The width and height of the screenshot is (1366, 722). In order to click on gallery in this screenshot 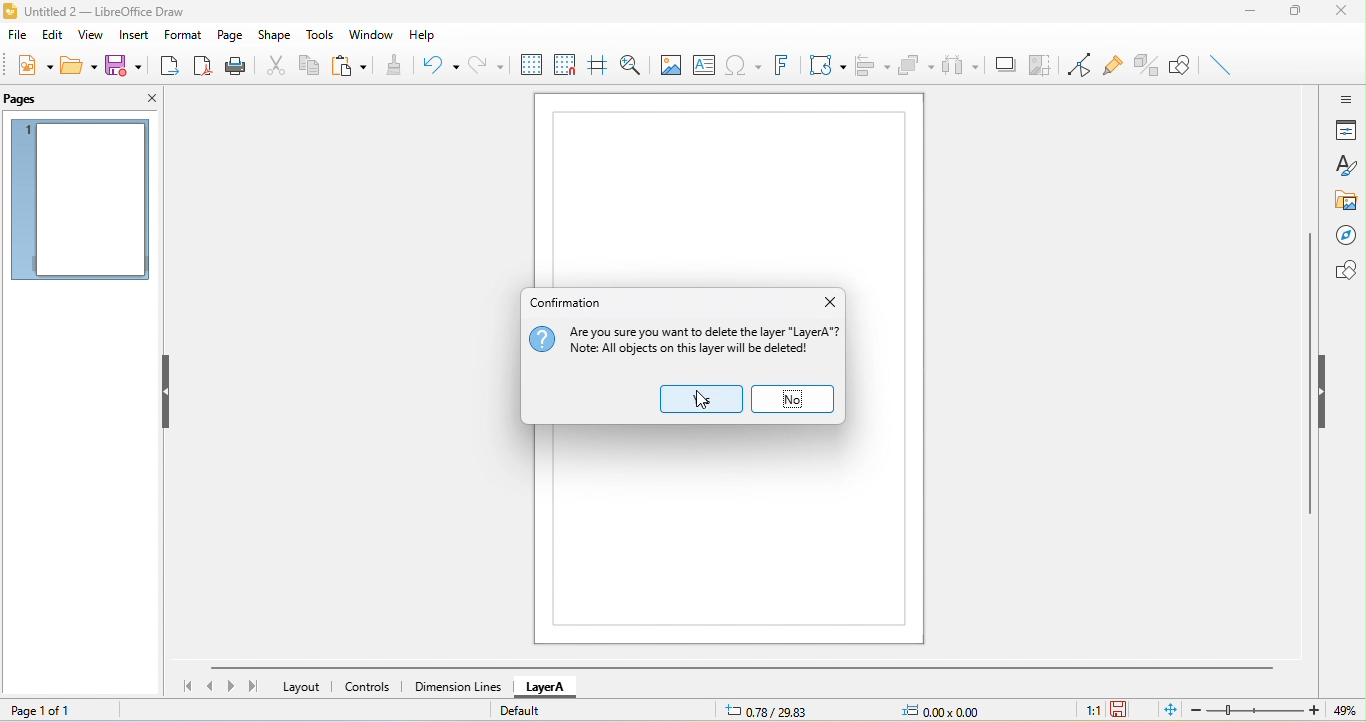, I will do `click(1345, 198)`.